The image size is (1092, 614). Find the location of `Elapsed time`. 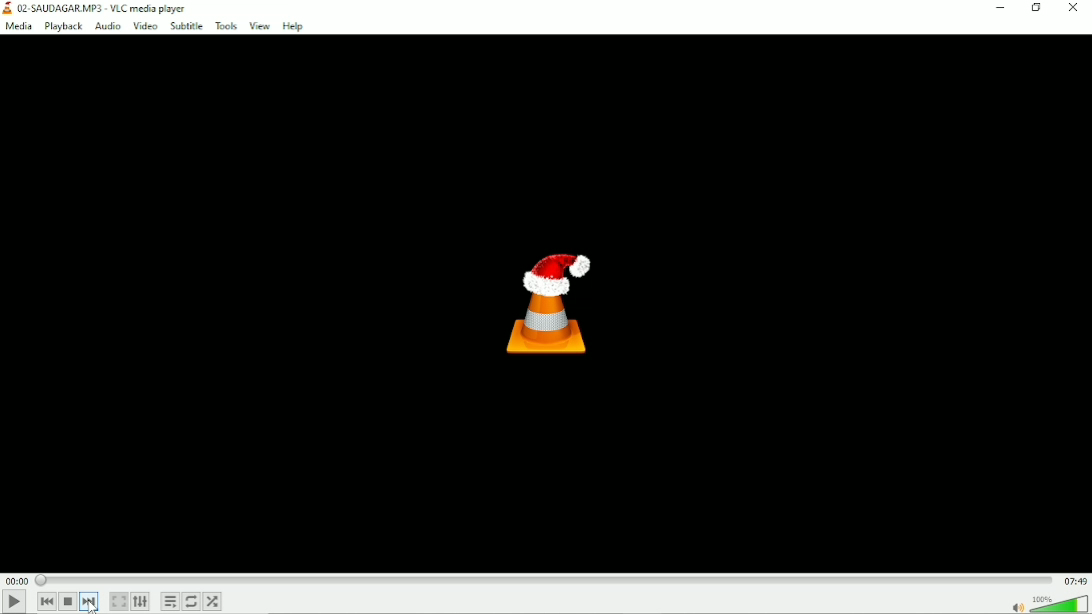

Elapsed time is located at coordinates (15, 579).